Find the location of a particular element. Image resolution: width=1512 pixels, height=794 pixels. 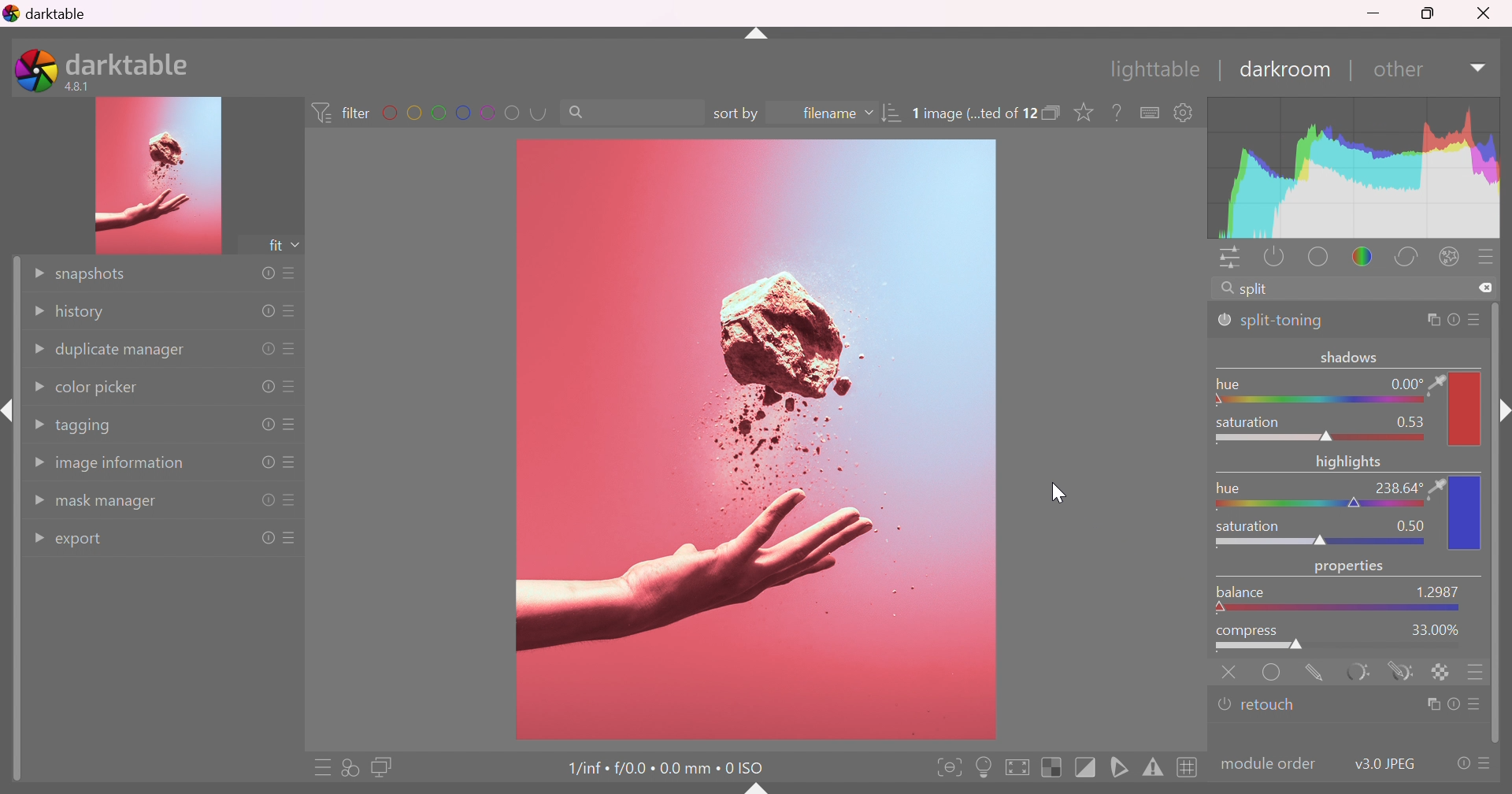

hue is located at coordinates (1228, 488).